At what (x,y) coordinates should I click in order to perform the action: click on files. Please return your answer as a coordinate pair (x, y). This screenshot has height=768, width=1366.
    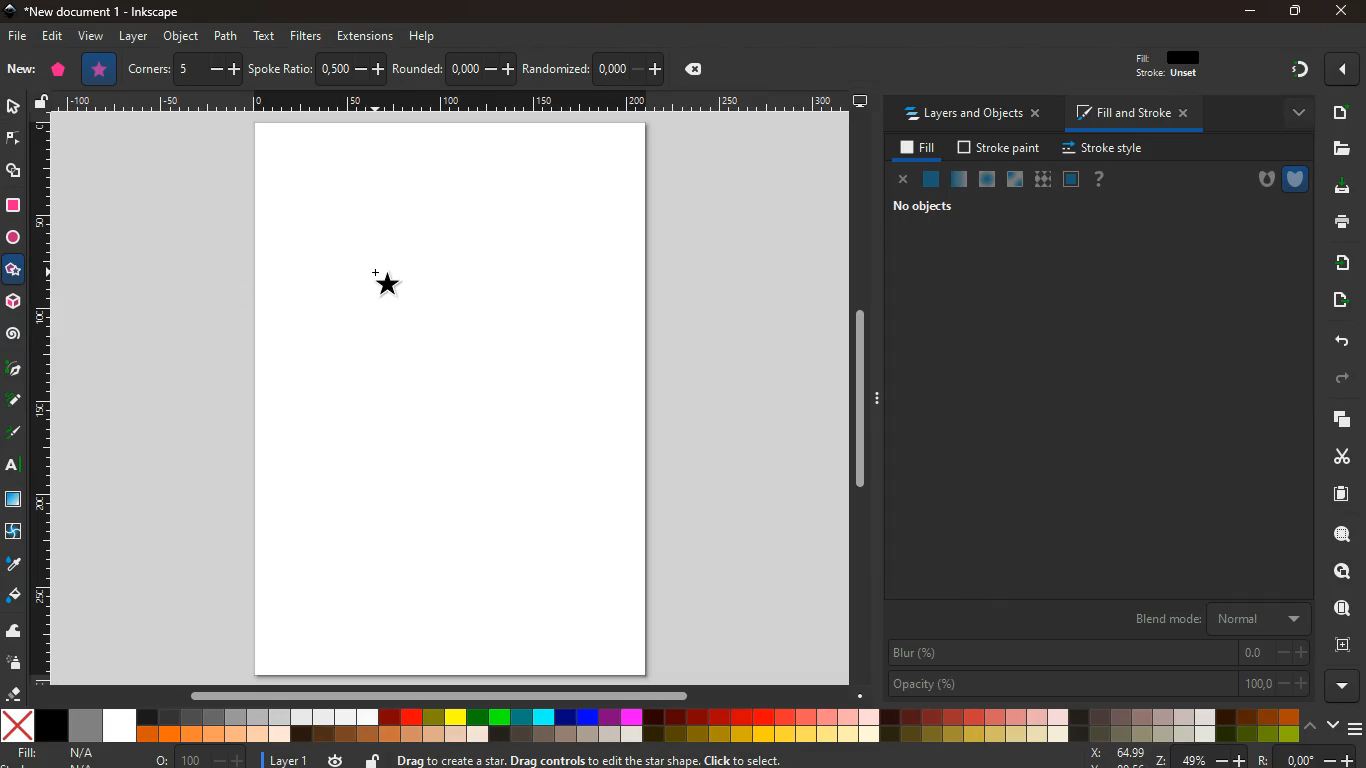
    Looking at the image, I should click on (1337, 148).